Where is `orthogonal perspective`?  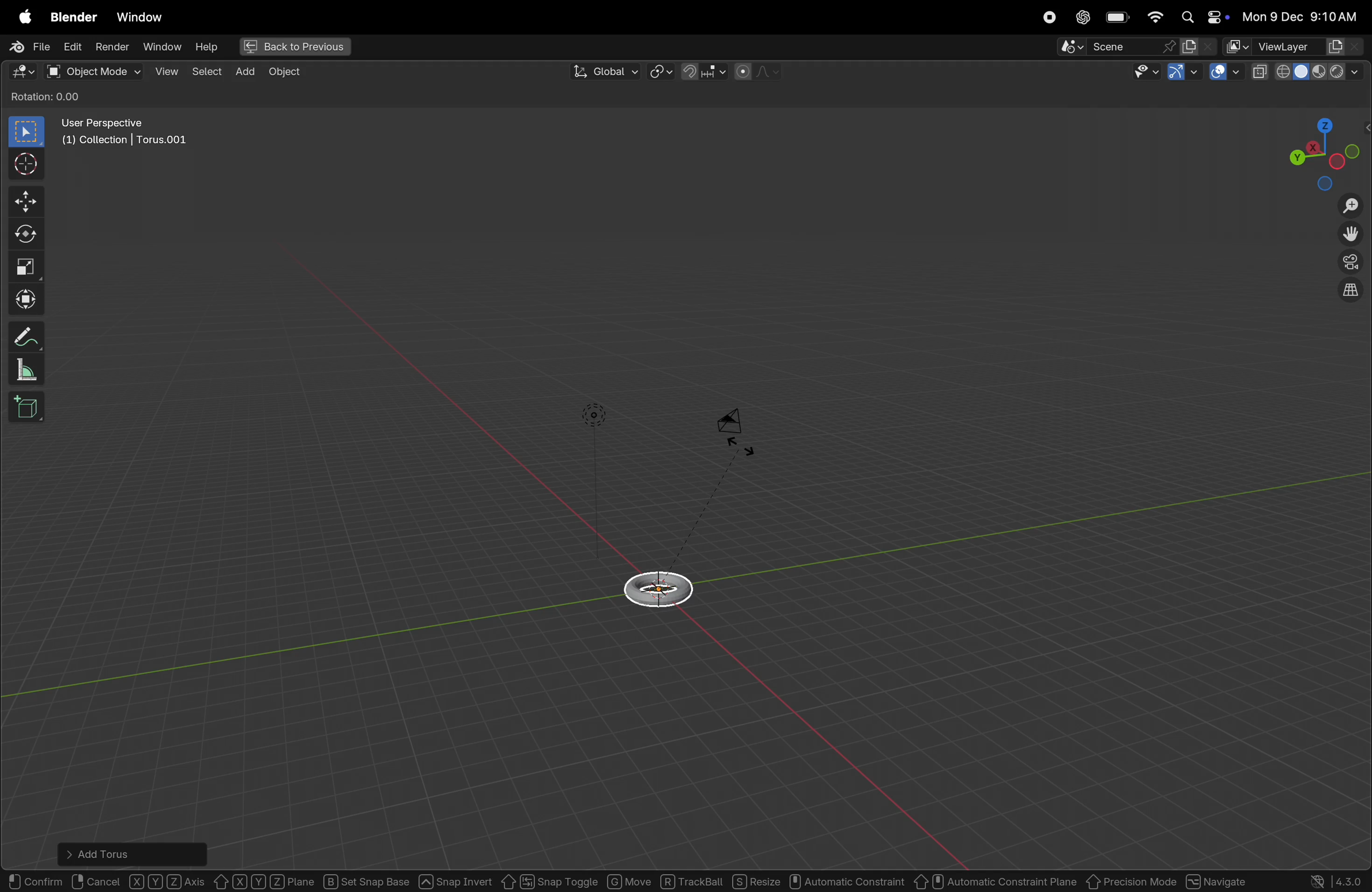
orthogonal perspective is located at coordinates (1350, 292).